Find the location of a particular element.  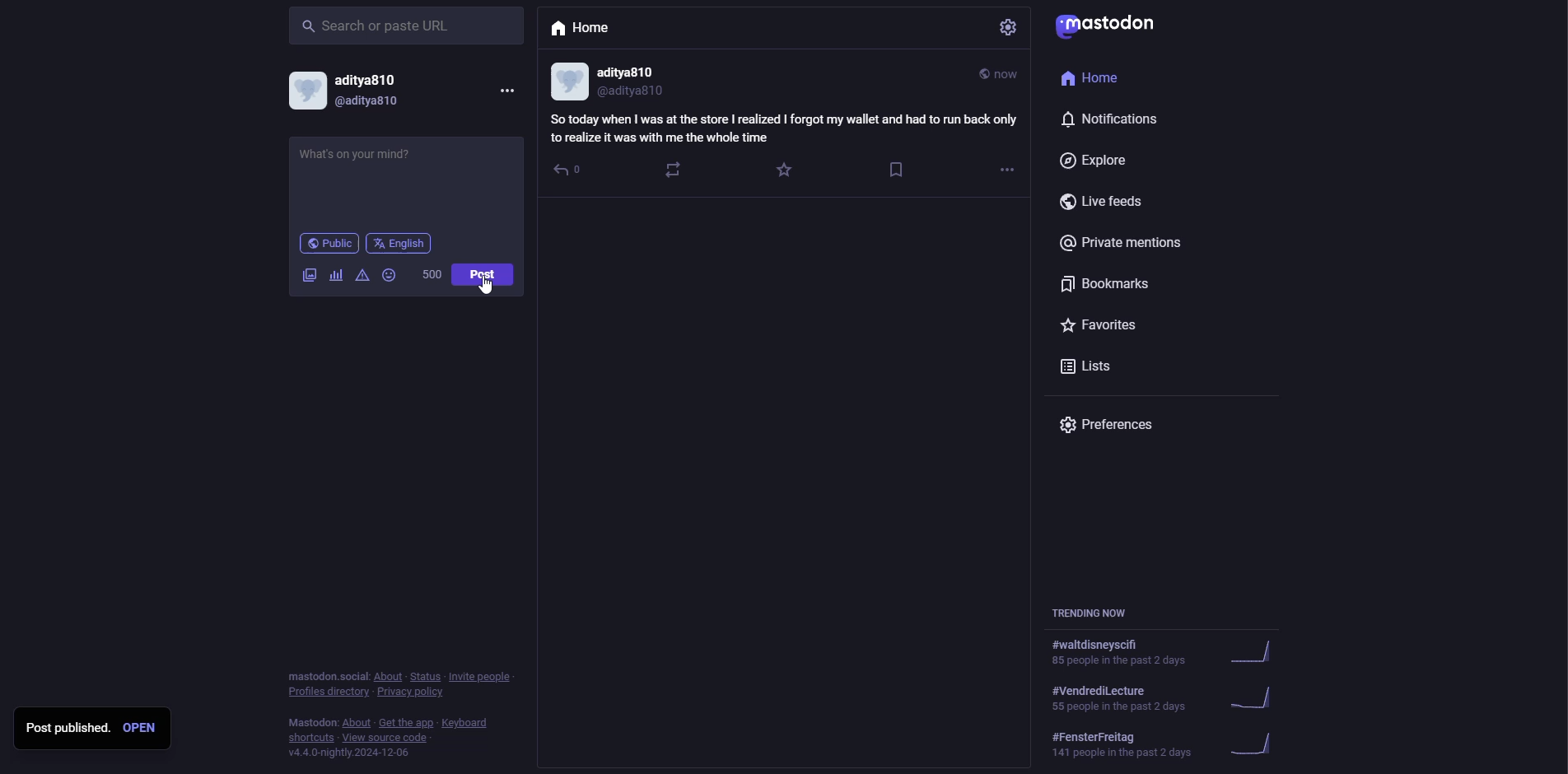

star is located at coordinates (783, 171).